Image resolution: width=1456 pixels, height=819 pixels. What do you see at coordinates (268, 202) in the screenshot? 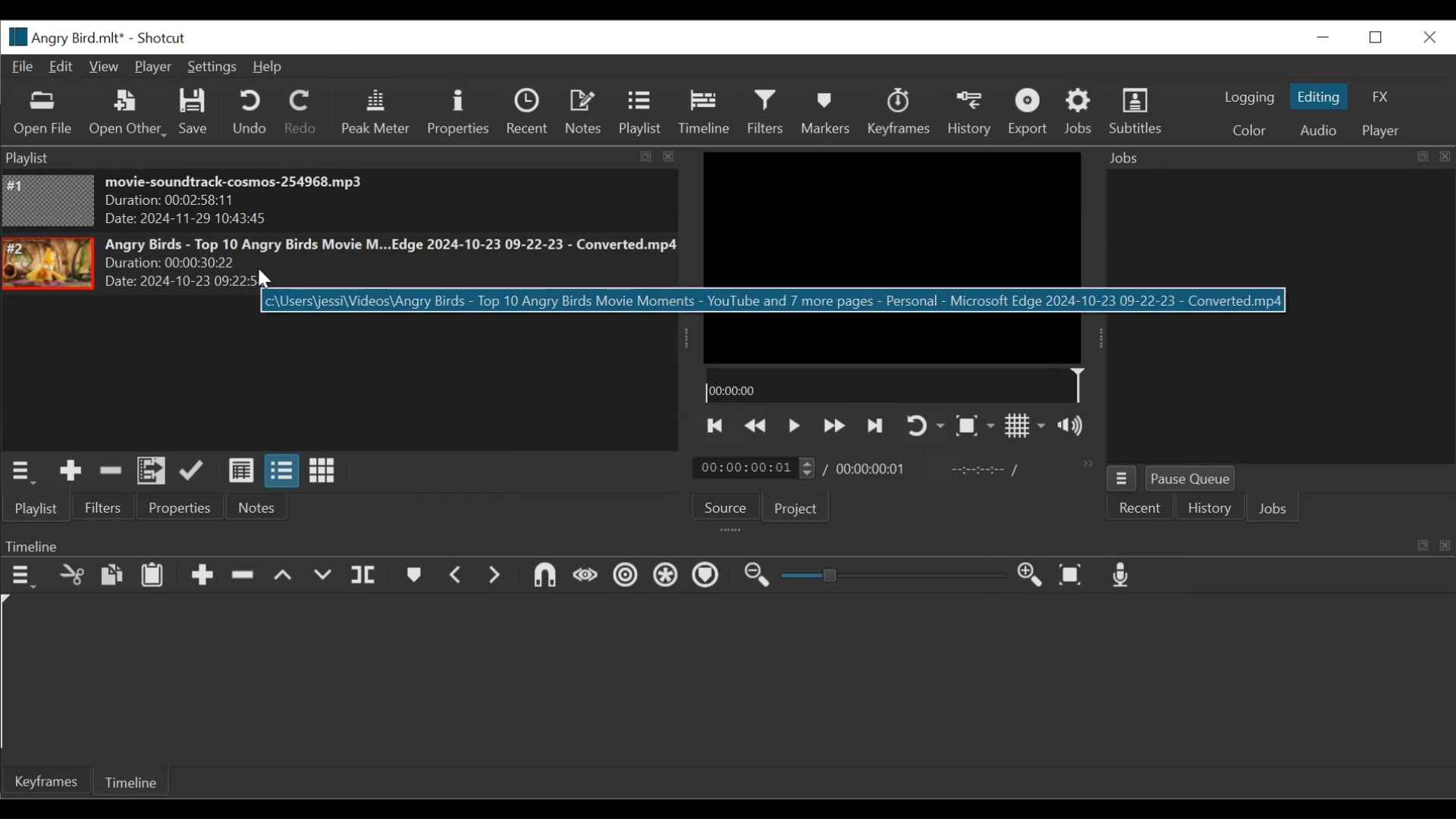
I see `movie-soundtrack-cosmos-254968.mp3
Duration: 00:02:58:11
Date: 2024-11-29 10:43:45` at bounding box center [268, 202].